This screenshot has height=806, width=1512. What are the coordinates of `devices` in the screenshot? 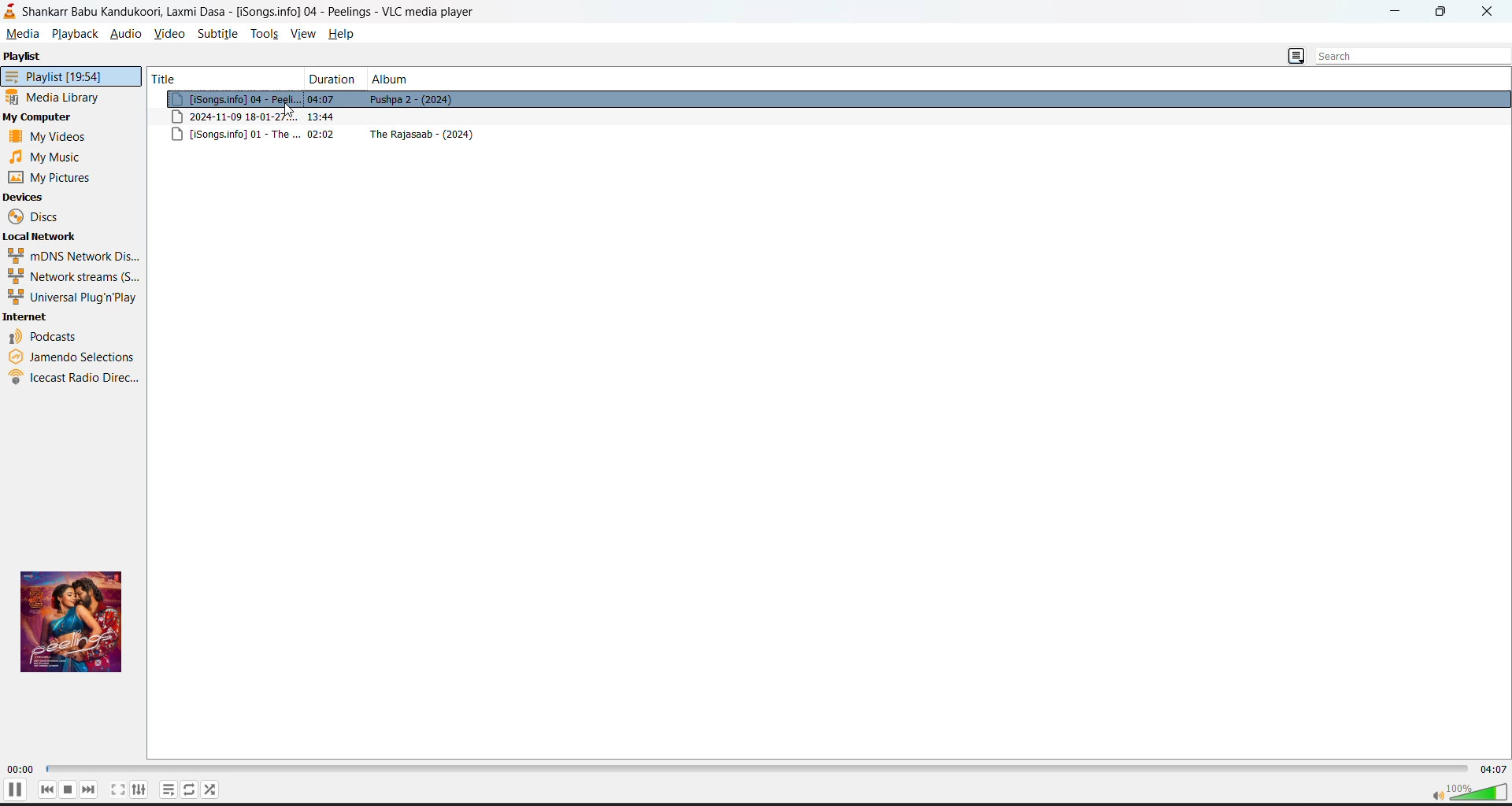 It's located at (24, 197).